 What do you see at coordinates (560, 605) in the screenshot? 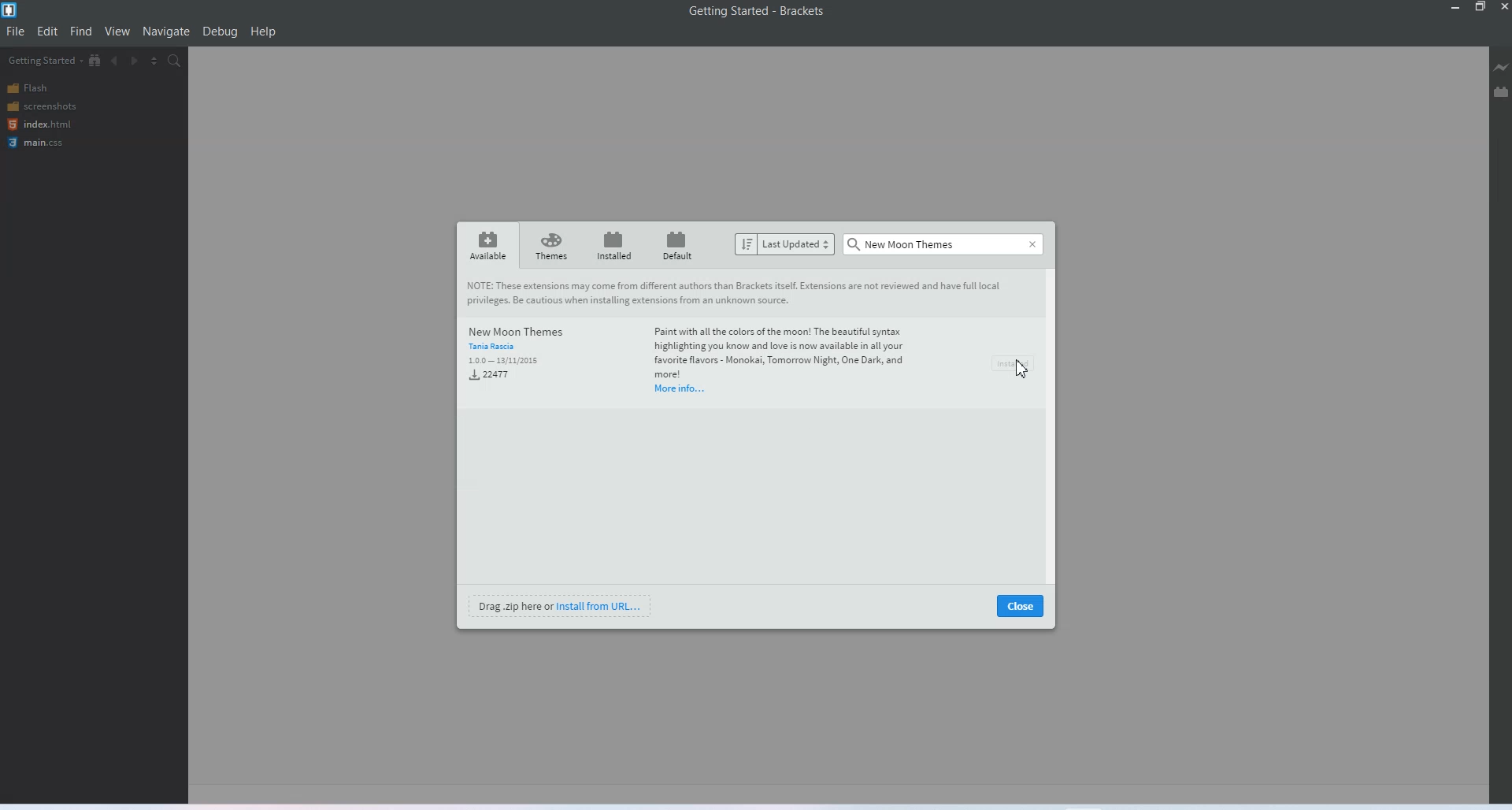
I see `Install from URL` at bounding box center [560, 605].